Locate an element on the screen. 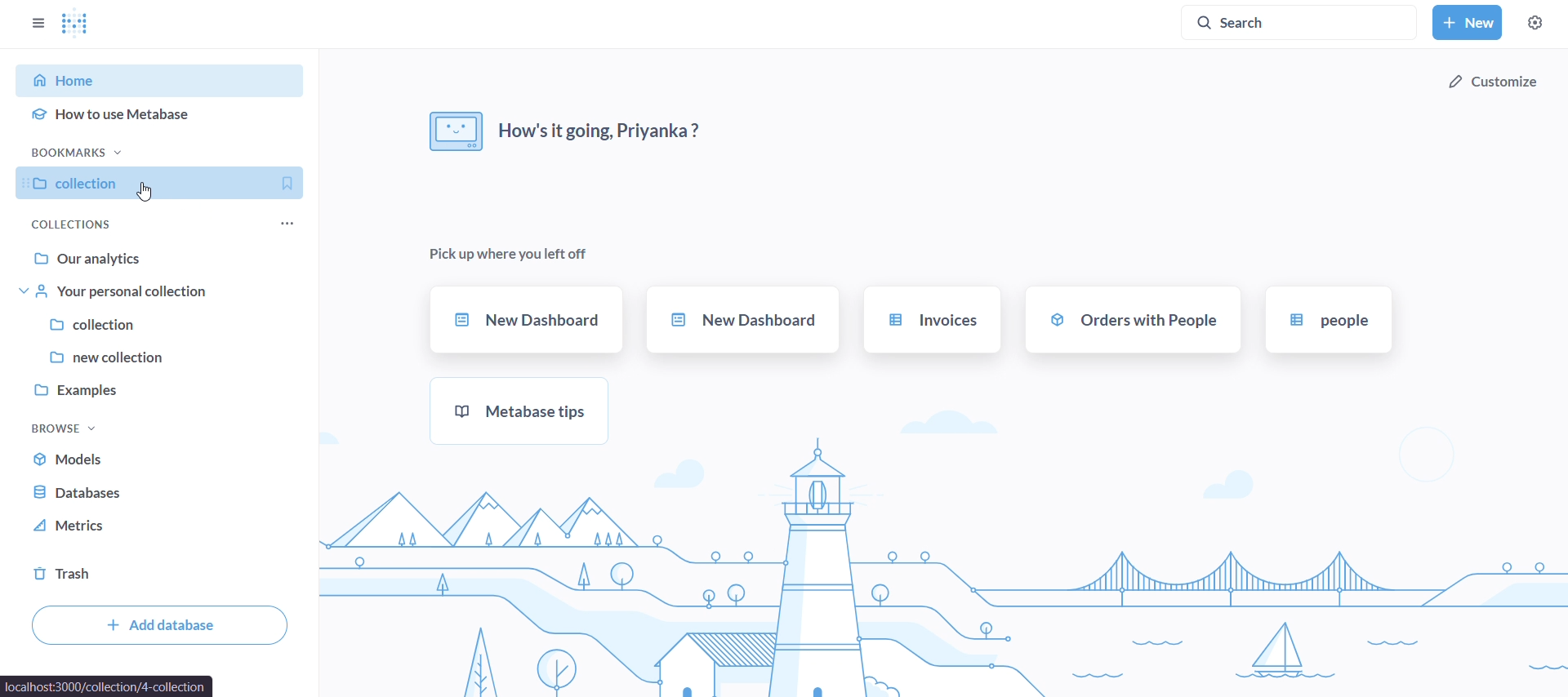  cursor is located at coordinates (149, 194).